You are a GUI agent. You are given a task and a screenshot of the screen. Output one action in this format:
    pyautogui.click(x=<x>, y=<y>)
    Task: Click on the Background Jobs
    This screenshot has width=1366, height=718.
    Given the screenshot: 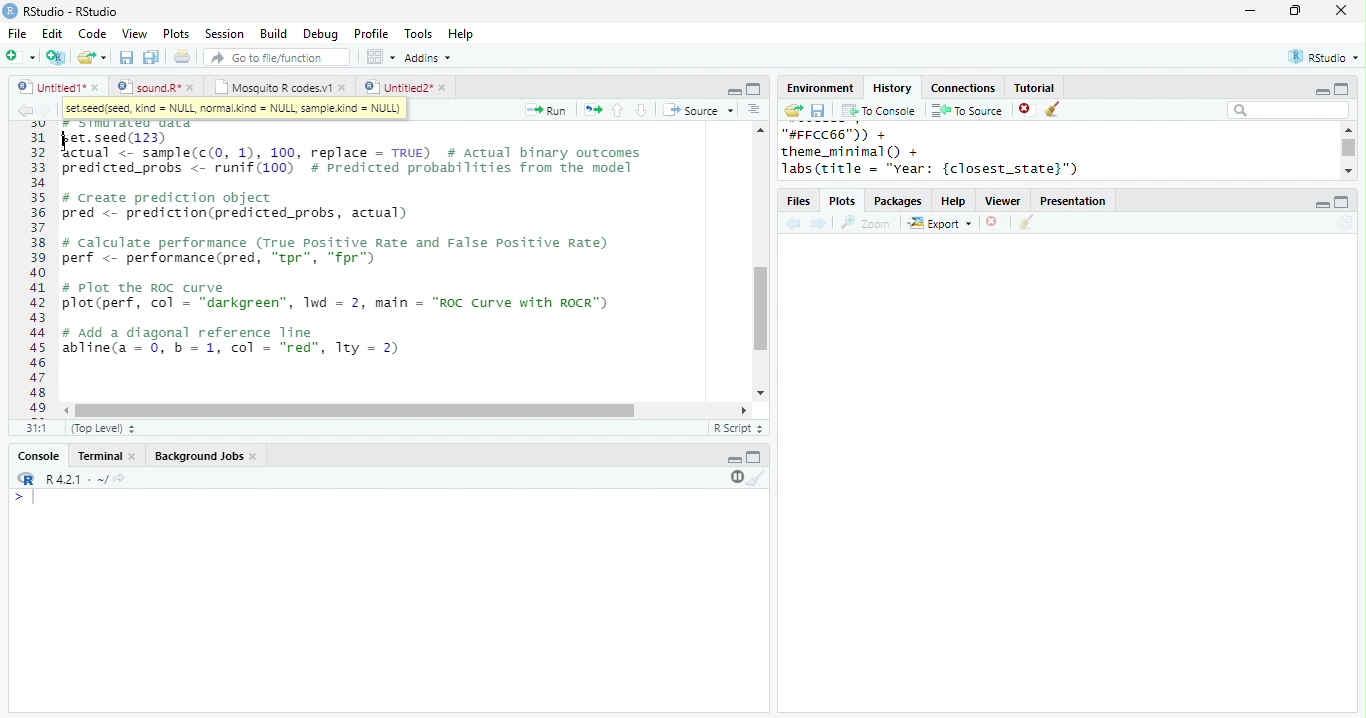 What is the action you would take?
    pyautogui.click(x=198, y=456)
    